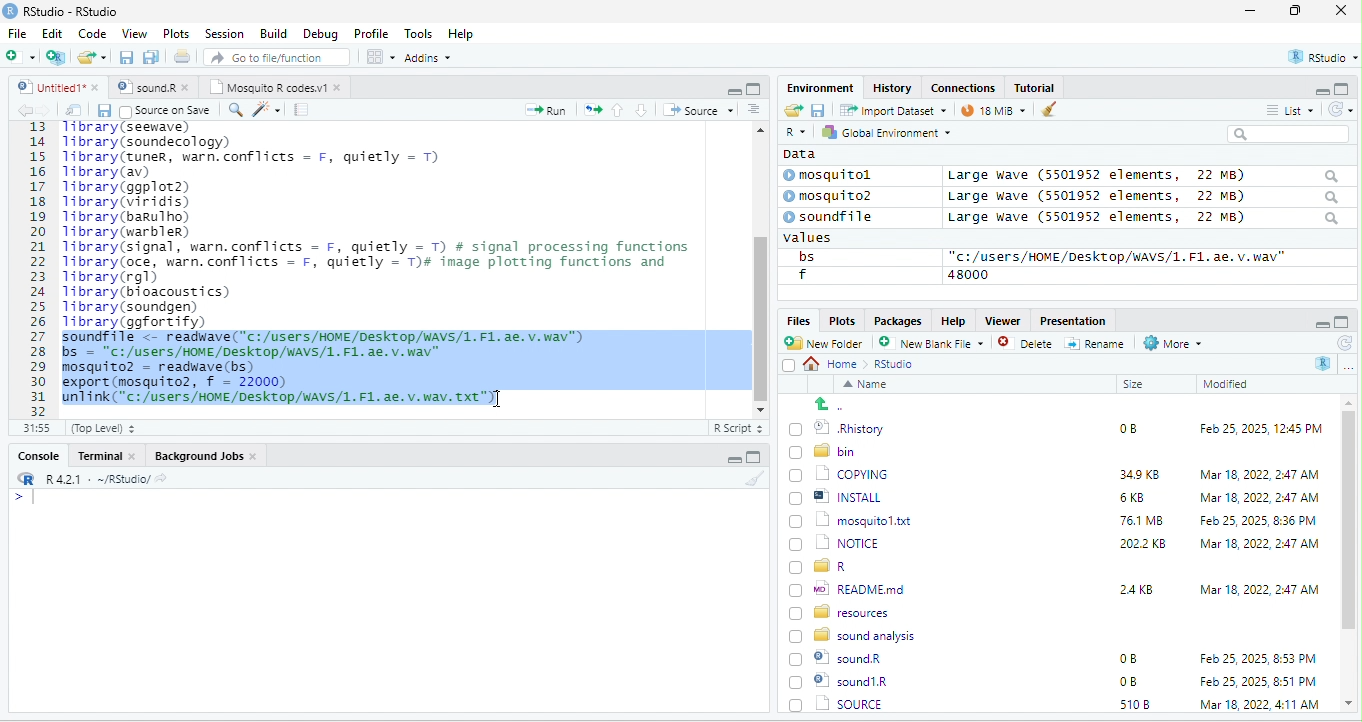 This screenshot has width=1362, height=722. Describe the element at coordinates (74, 110) in the screenshot. I see `open` at that location.